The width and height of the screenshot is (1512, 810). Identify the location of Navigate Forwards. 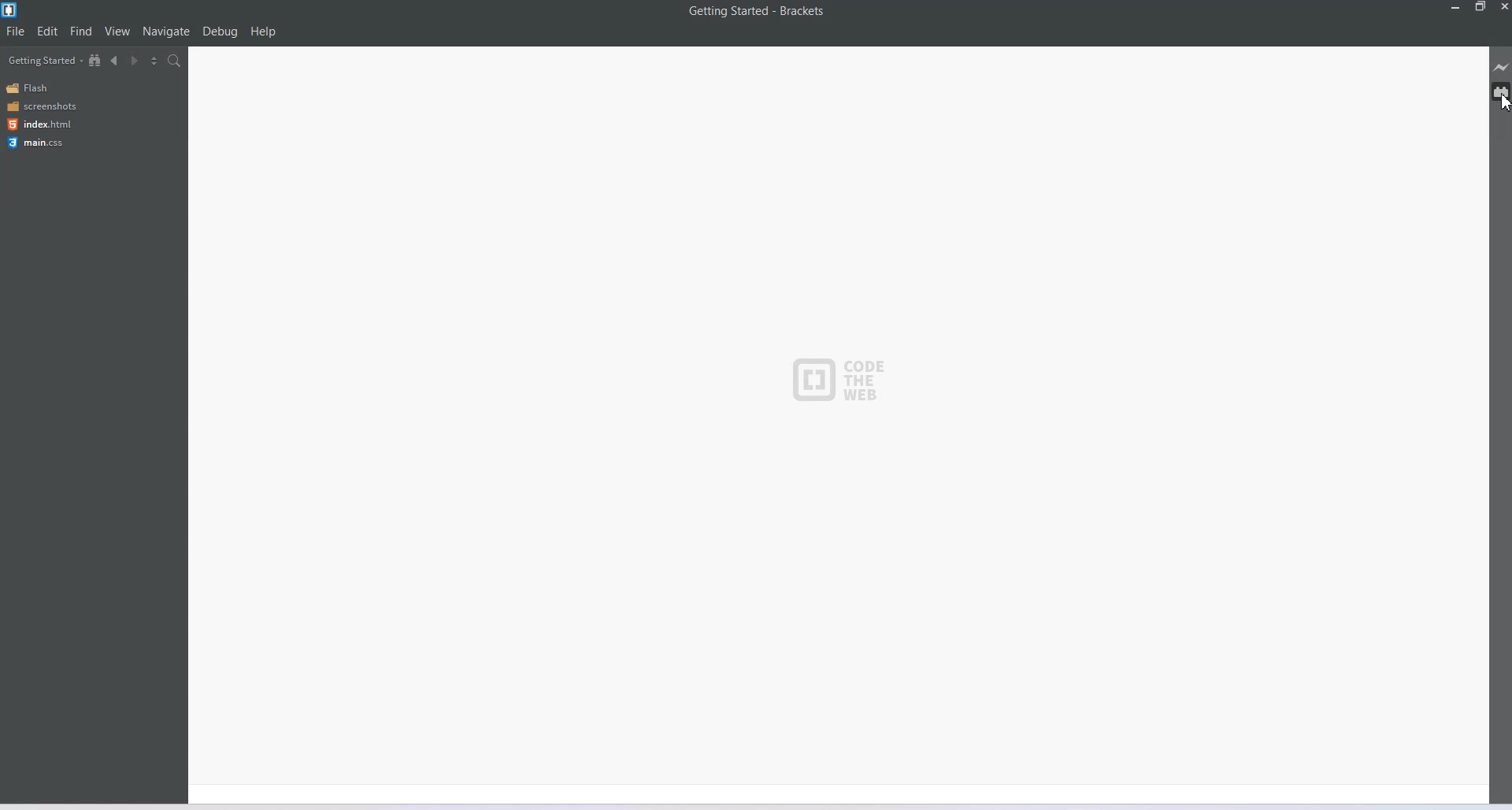
(135, 61).